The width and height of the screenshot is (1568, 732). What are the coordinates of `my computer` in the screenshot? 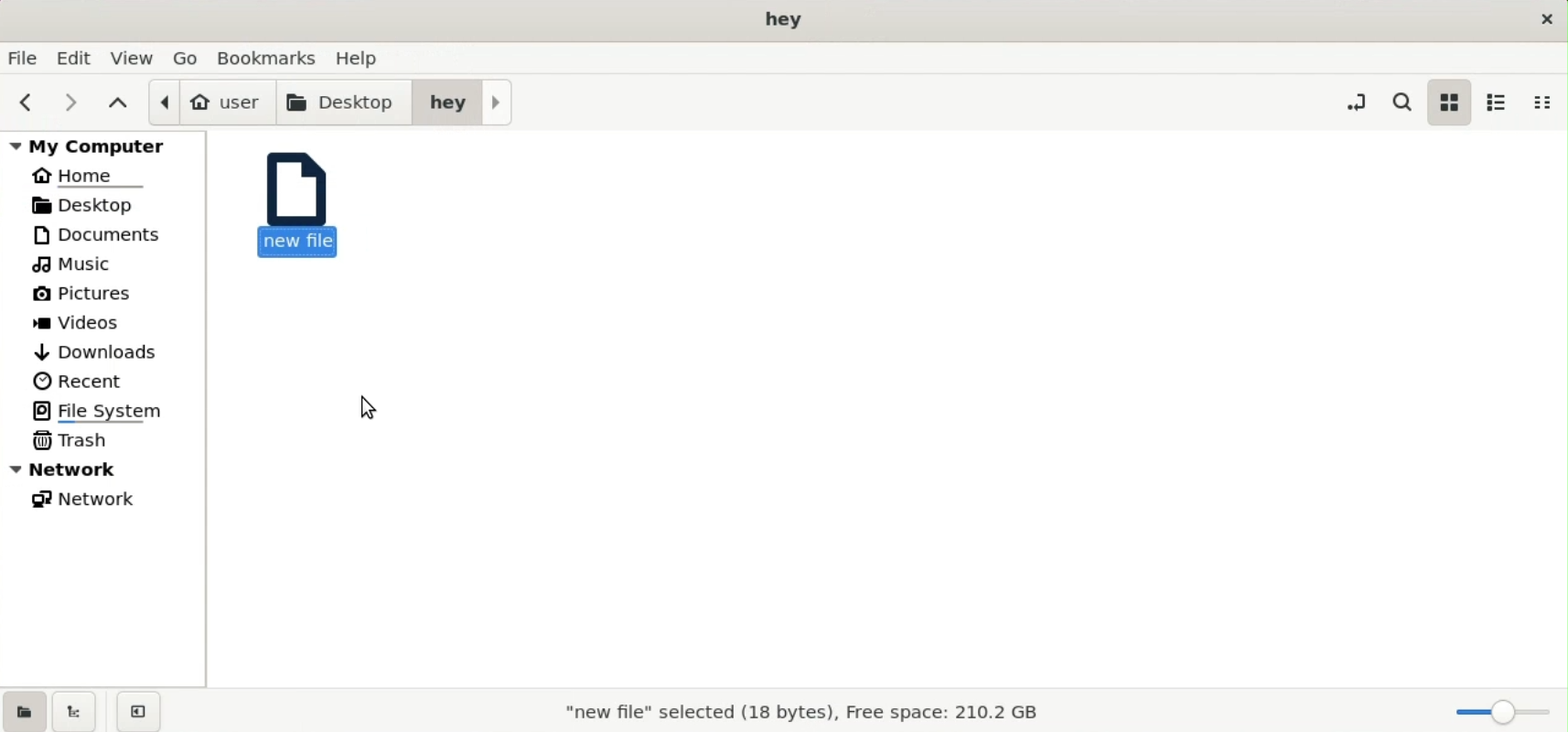 It's located at (107, 145).